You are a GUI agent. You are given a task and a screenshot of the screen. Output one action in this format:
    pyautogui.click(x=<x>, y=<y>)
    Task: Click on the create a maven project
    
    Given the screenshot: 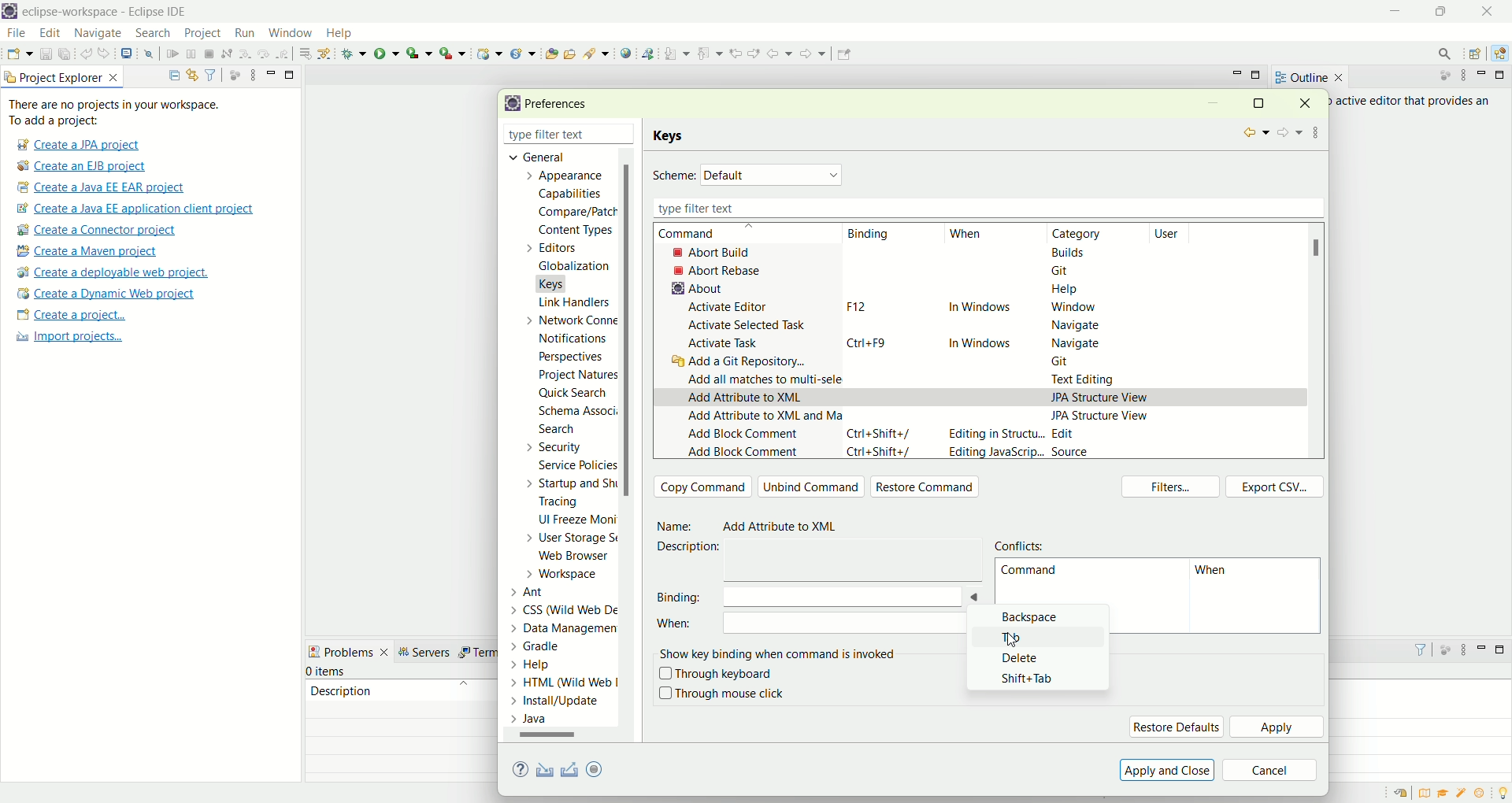 What is the action you would take?
    pyautogui.click(x=92, y=252)
    